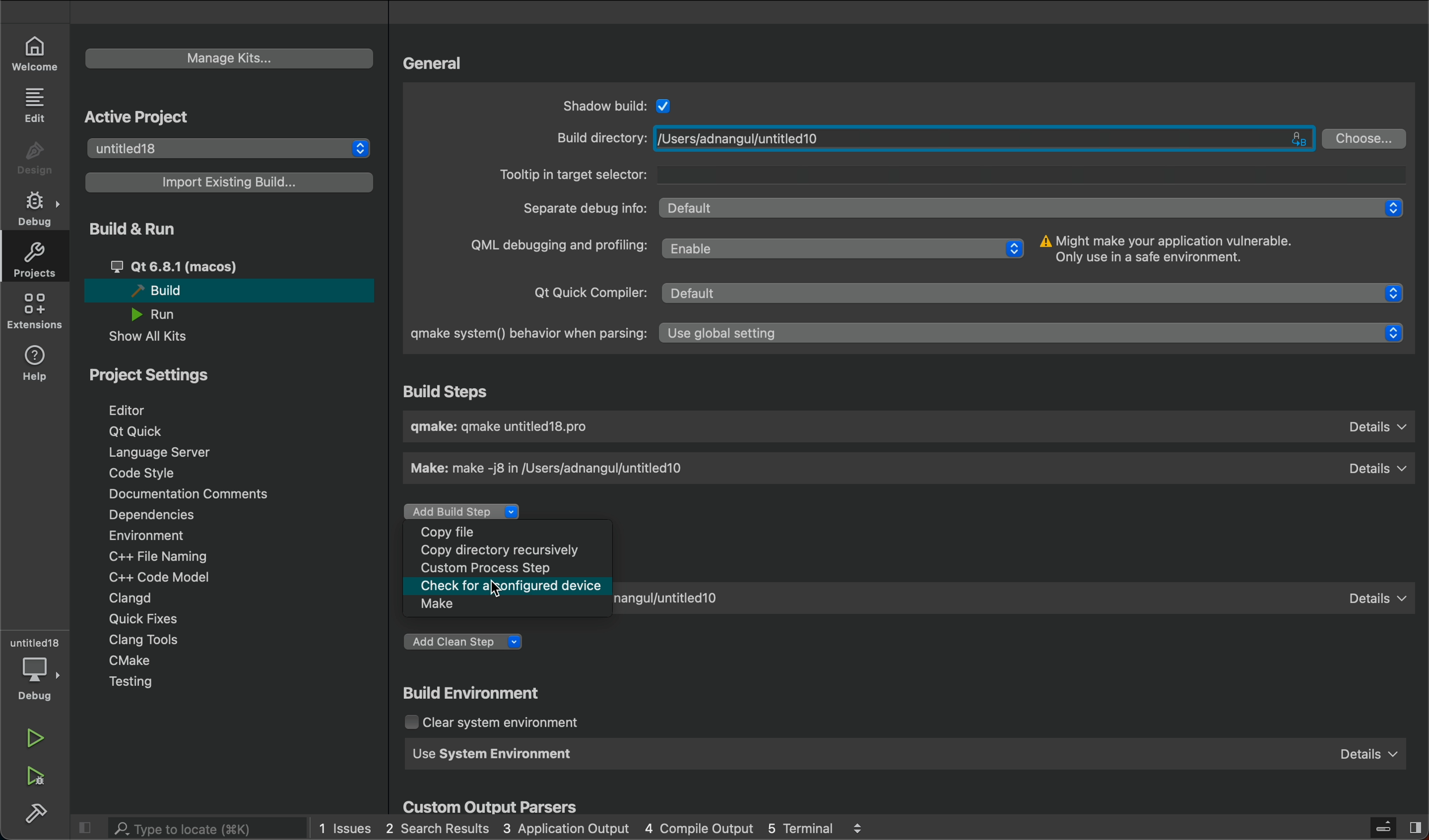 The width and height of the screenshot is (1429, 840). I want to click on Use global setting, so click(1035, 334).